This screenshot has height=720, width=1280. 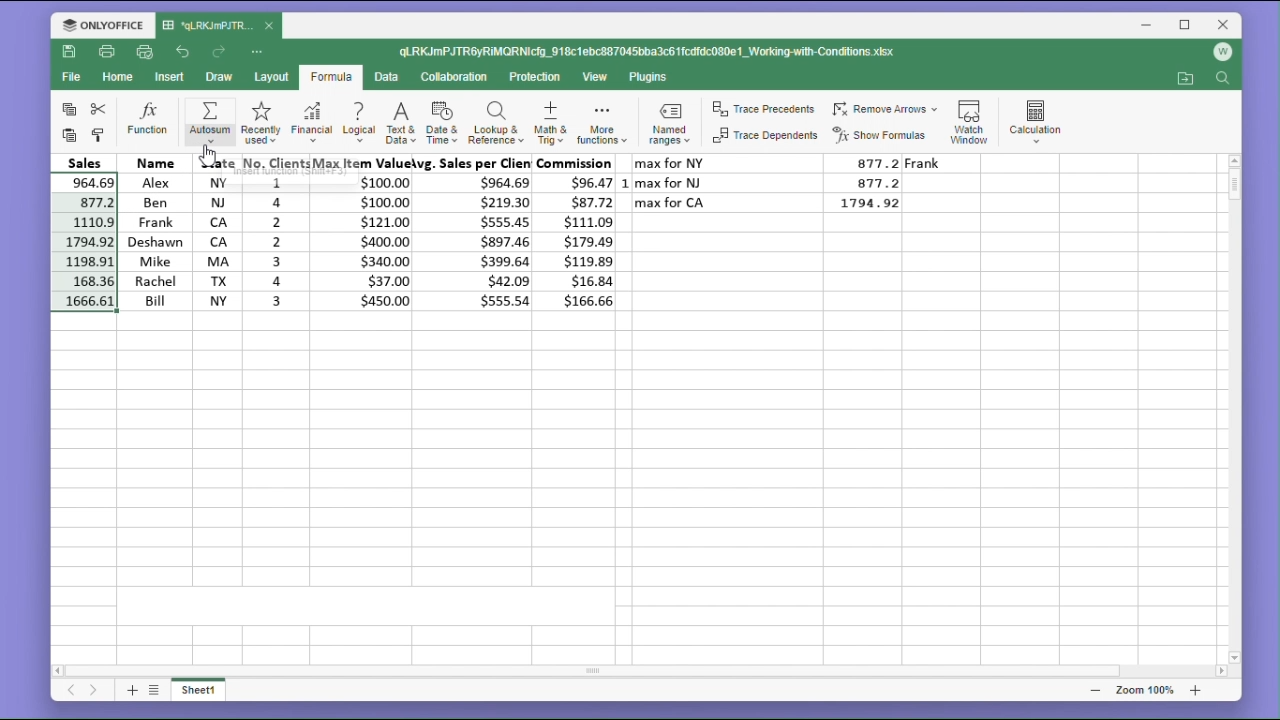 I want to click on undo, so click(x=183, y=50).